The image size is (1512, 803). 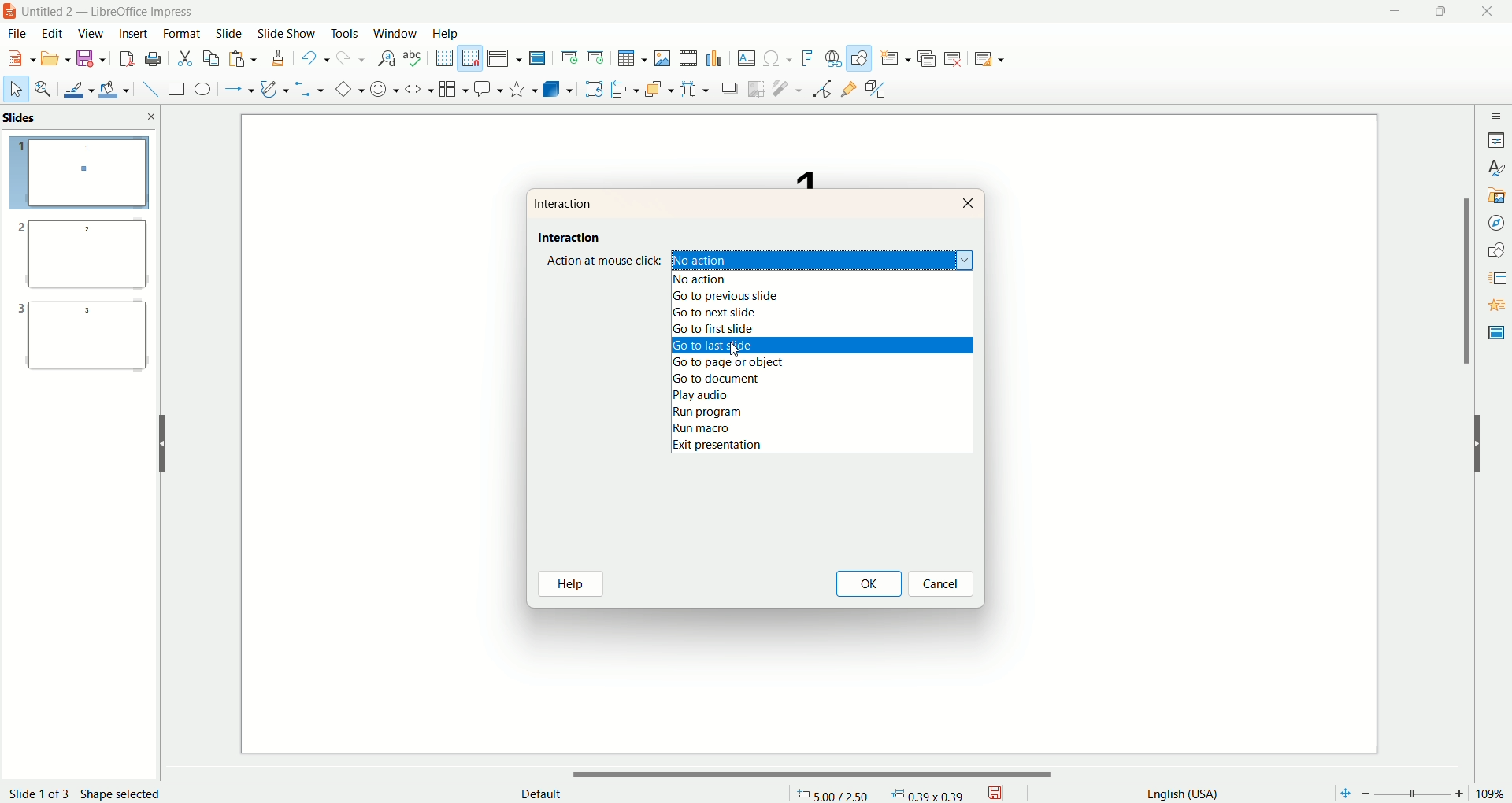 I want to click on draw function, so click(x=859, y=58).